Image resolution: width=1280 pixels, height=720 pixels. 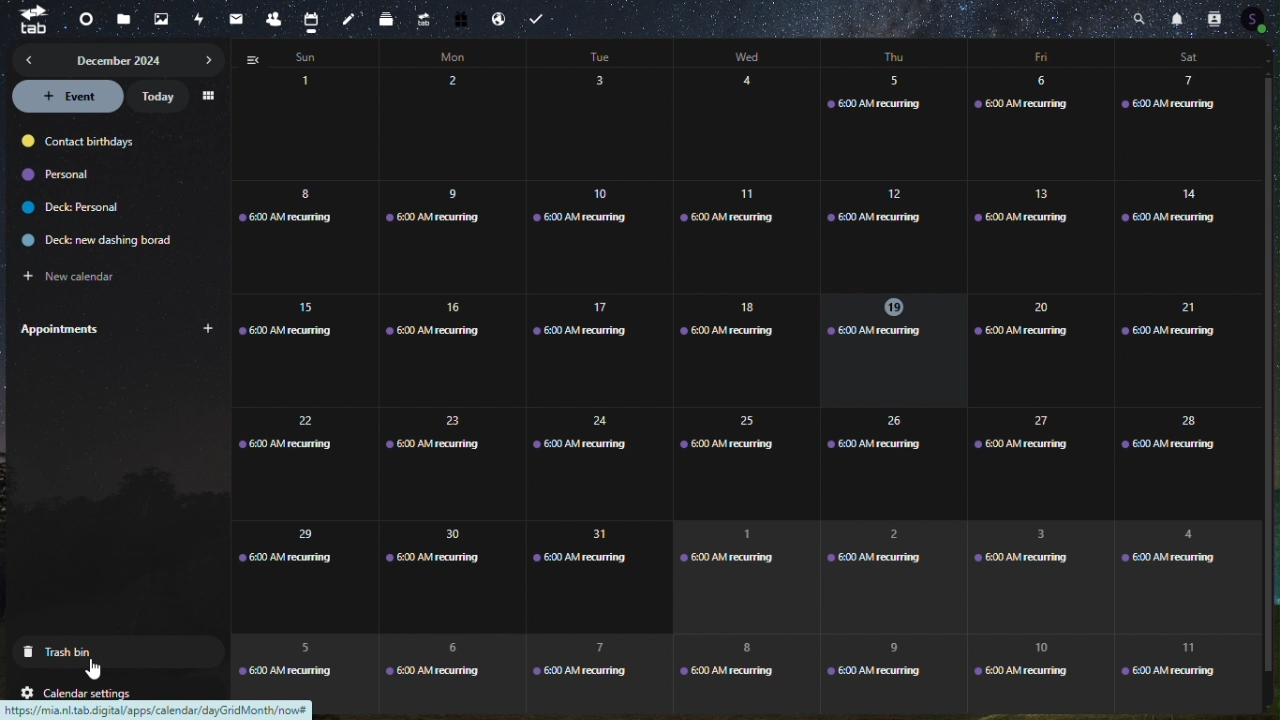 I want to click on dashboard, so click(x=79, y=20).